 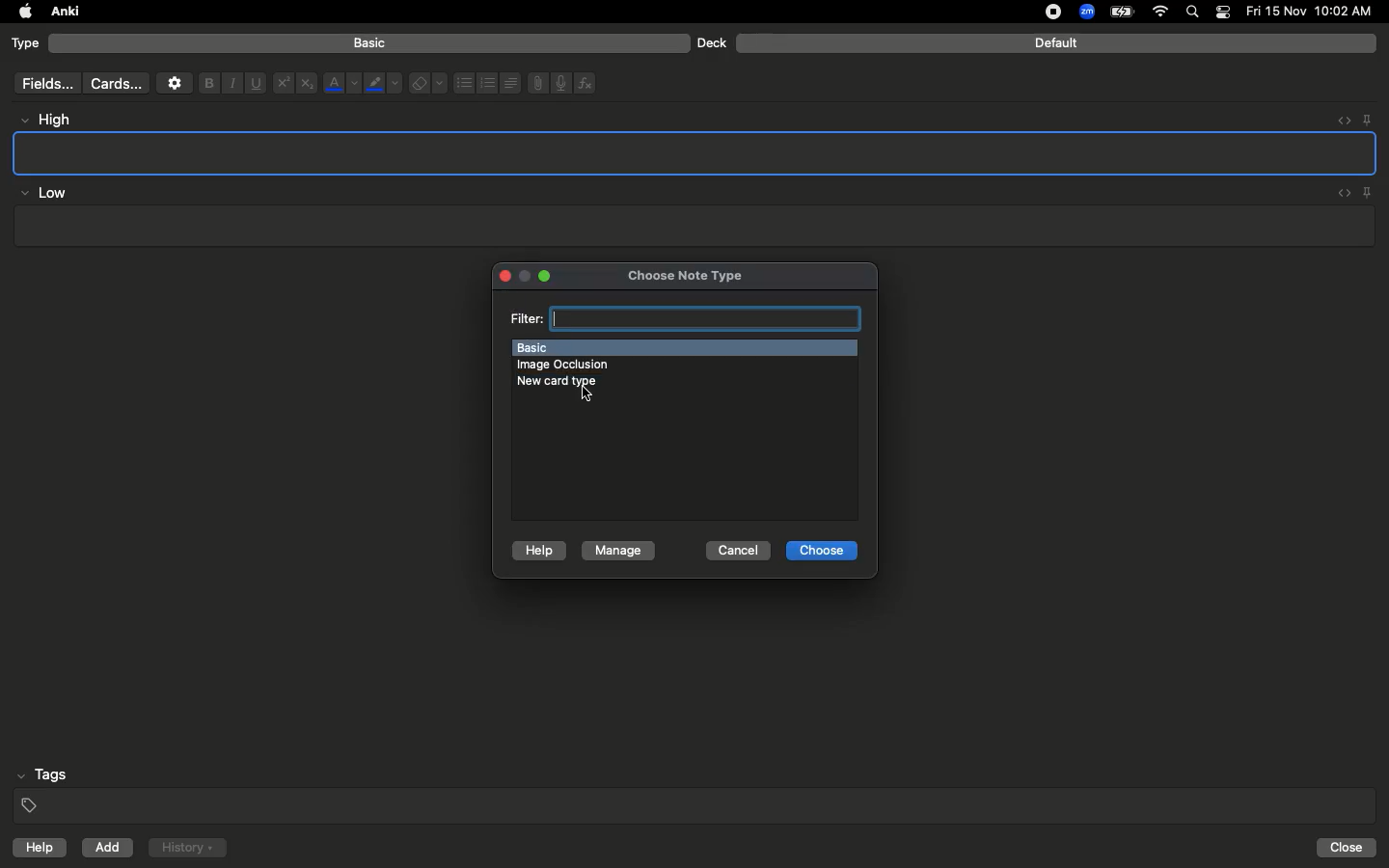 I want to click on Default, so click(x=1056, y=43).